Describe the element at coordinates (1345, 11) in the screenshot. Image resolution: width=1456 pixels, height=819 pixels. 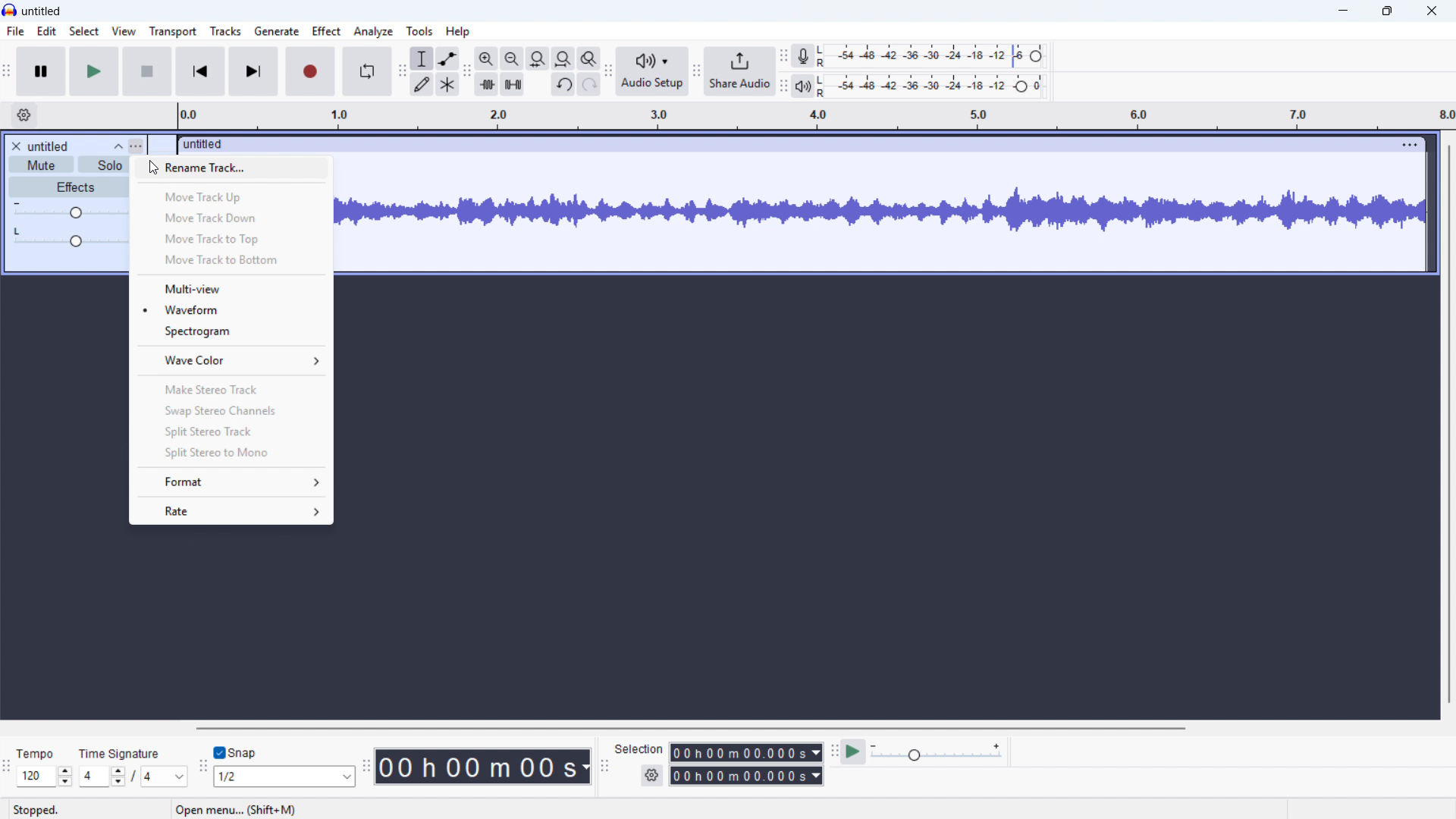
I see `minimise` at that location.